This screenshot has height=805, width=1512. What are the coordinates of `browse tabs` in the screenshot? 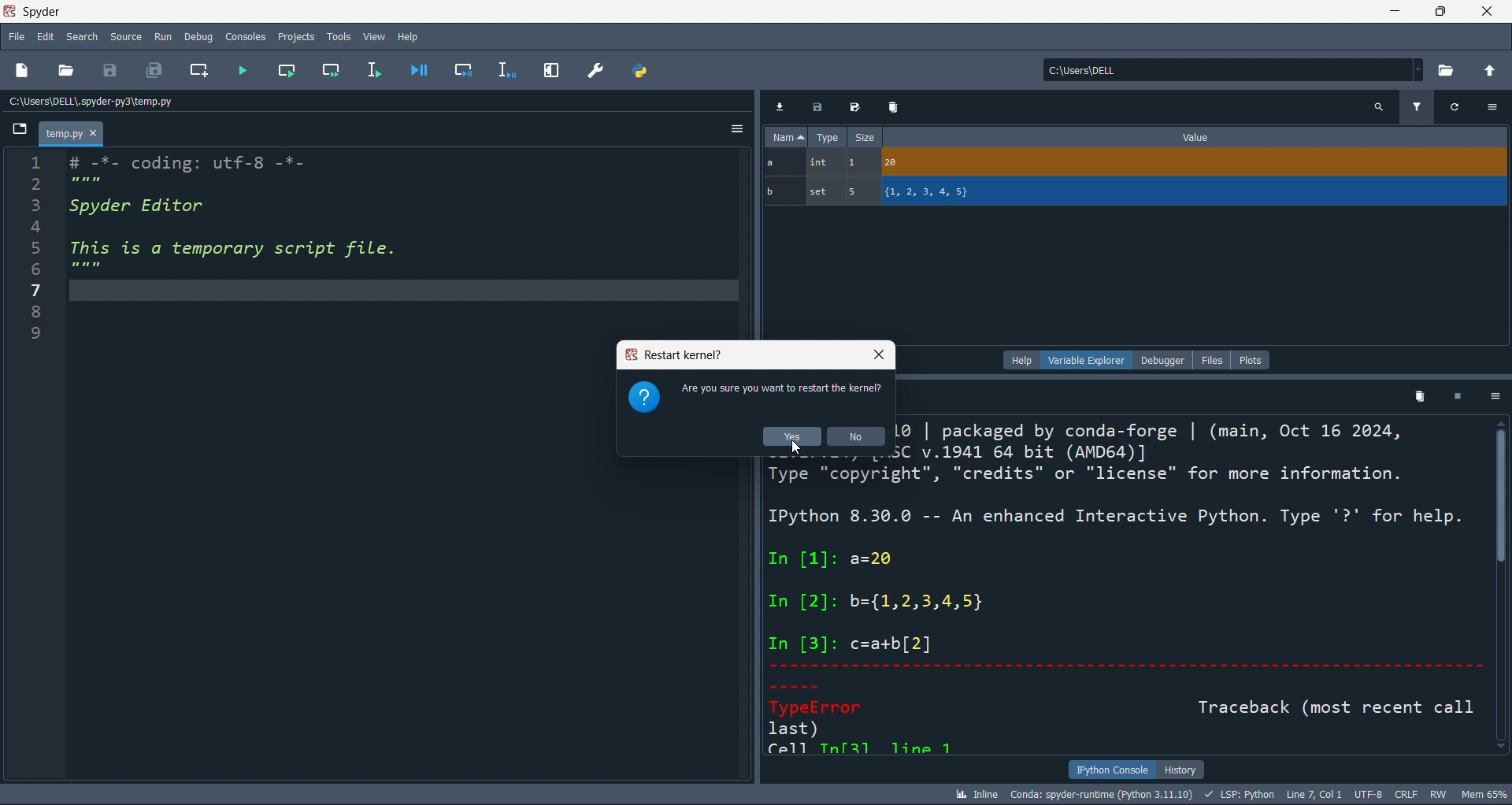 It's located at (17, 130).